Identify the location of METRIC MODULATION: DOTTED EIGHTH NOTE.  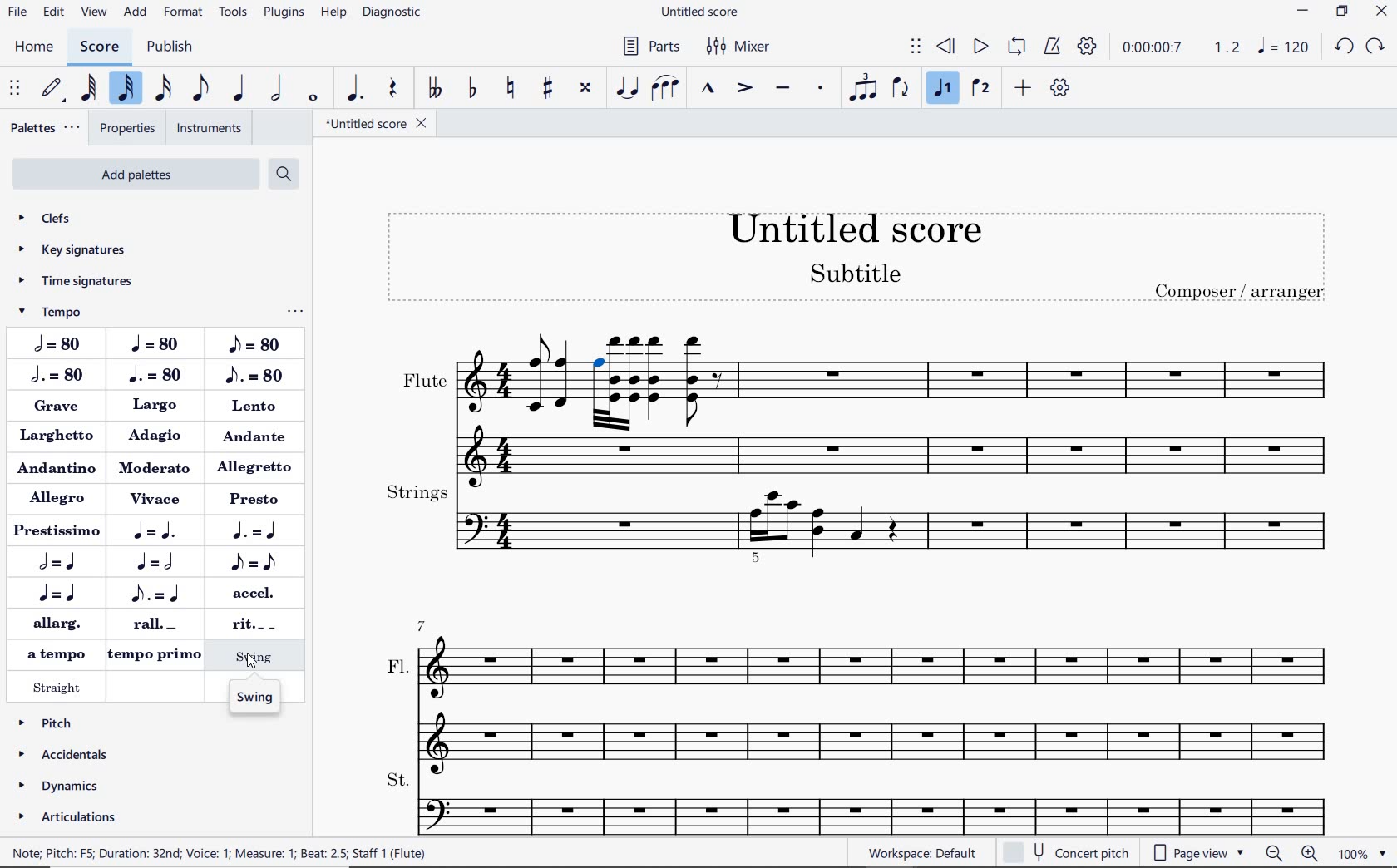
(158, 594).